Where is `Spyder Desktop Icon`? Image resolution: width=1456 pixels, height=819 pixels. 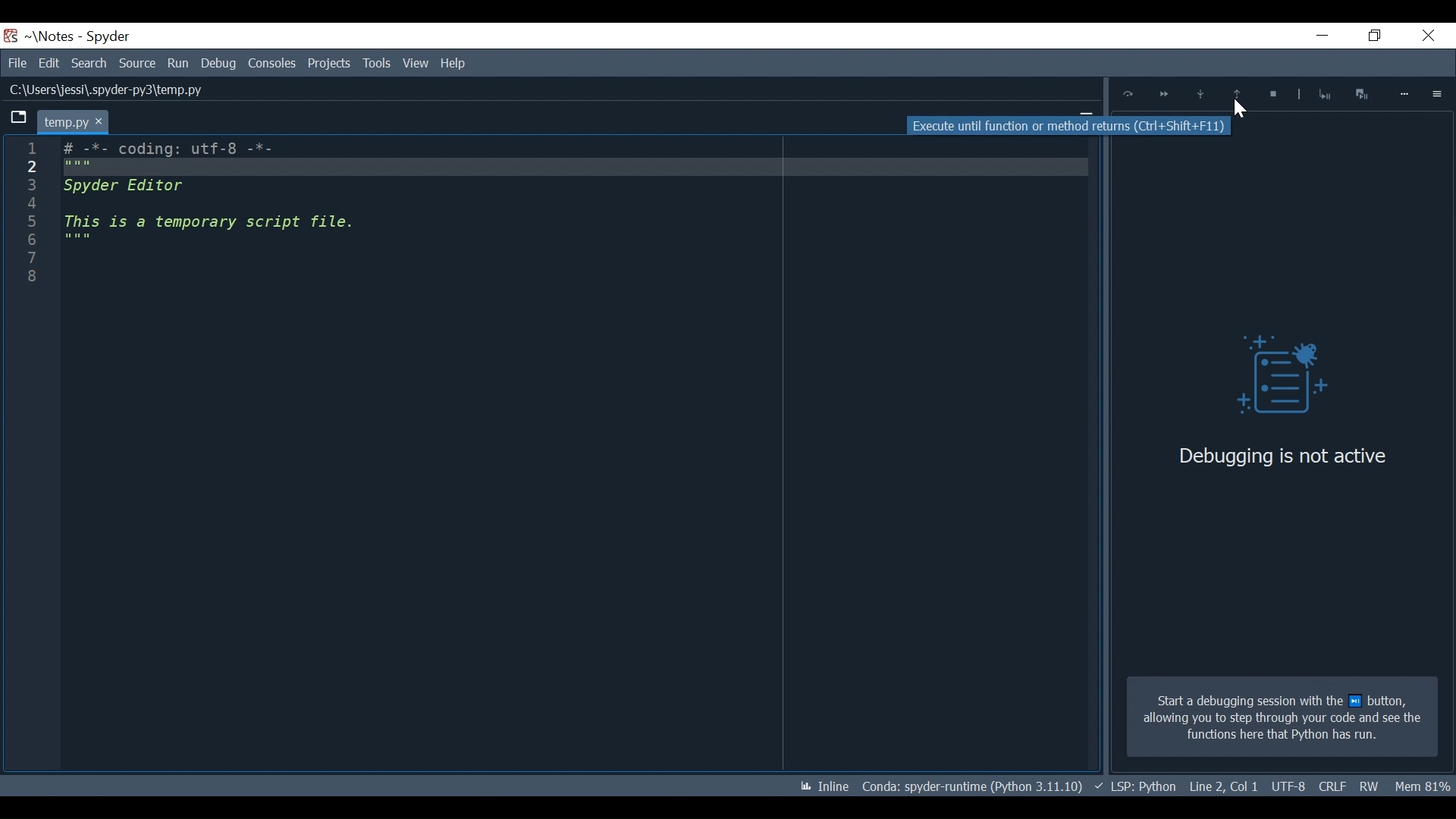
Spyder Desktop Icon is located at coordinates (11, 36).